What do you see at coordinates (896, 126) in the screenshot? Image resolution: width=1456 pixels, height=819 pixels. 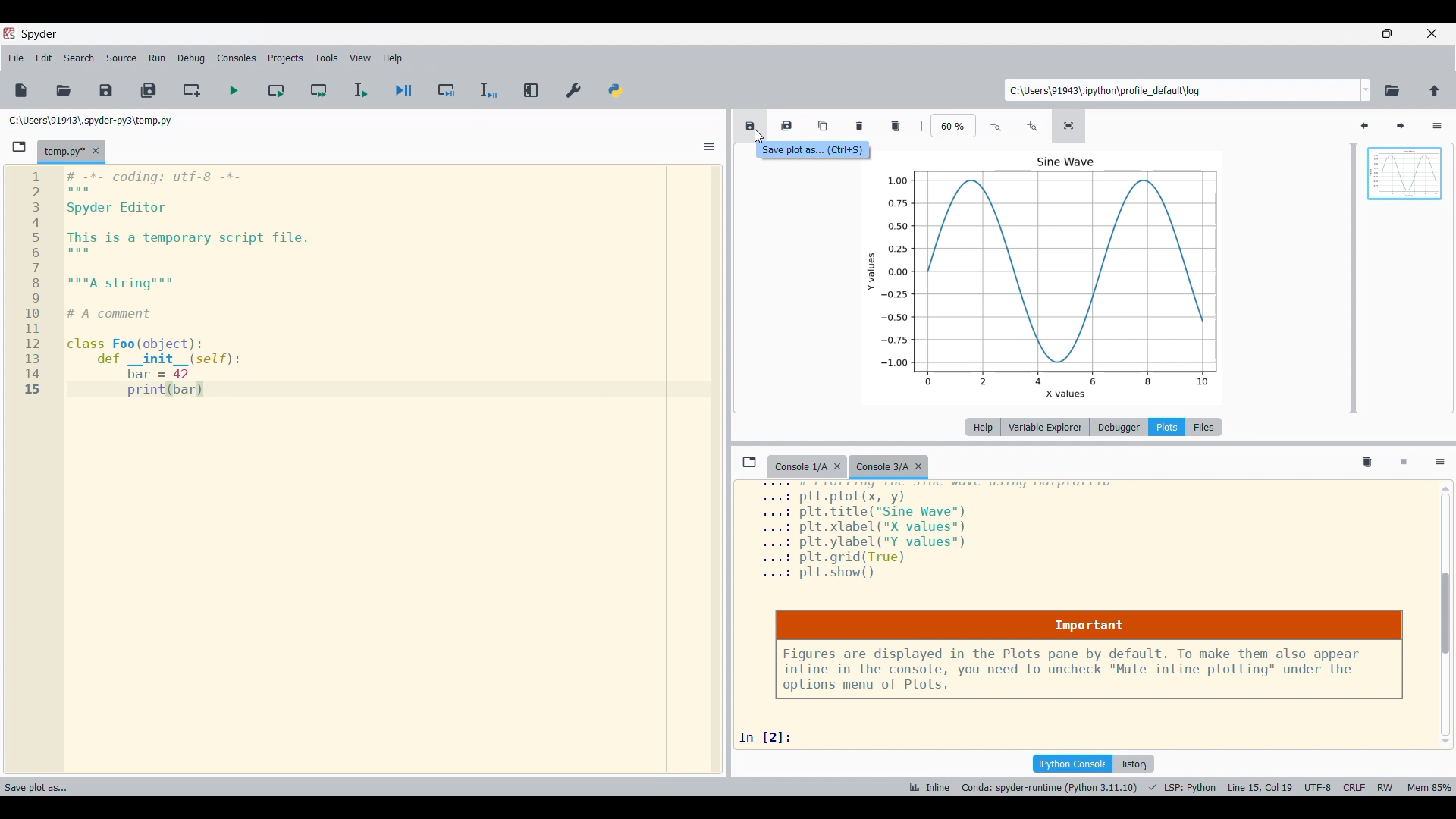 I see `Remove all plots` at bounding box center [896, 126].